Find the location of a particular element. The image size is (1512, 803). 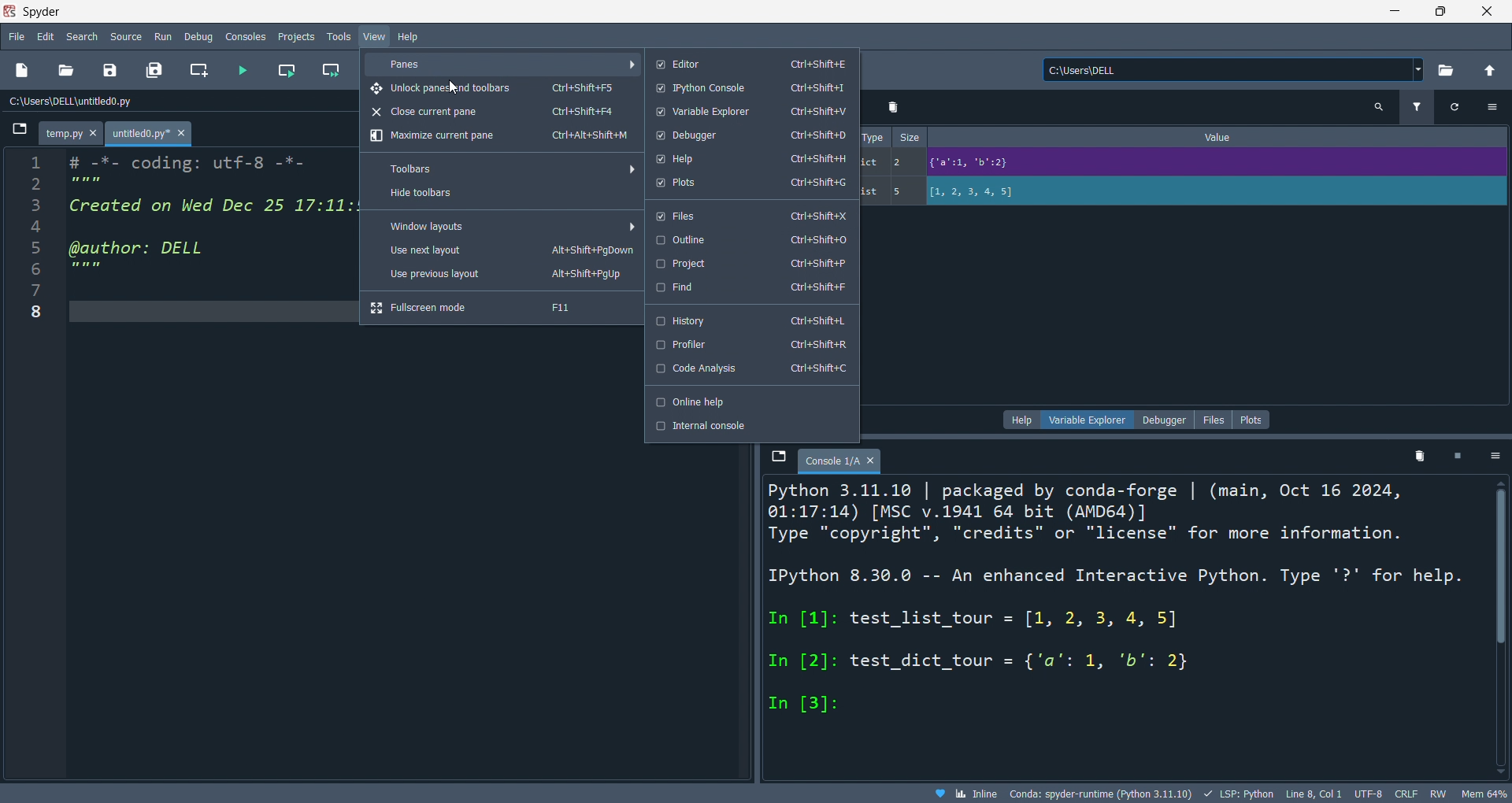

run cell and move is located at coordinates (335, 71).